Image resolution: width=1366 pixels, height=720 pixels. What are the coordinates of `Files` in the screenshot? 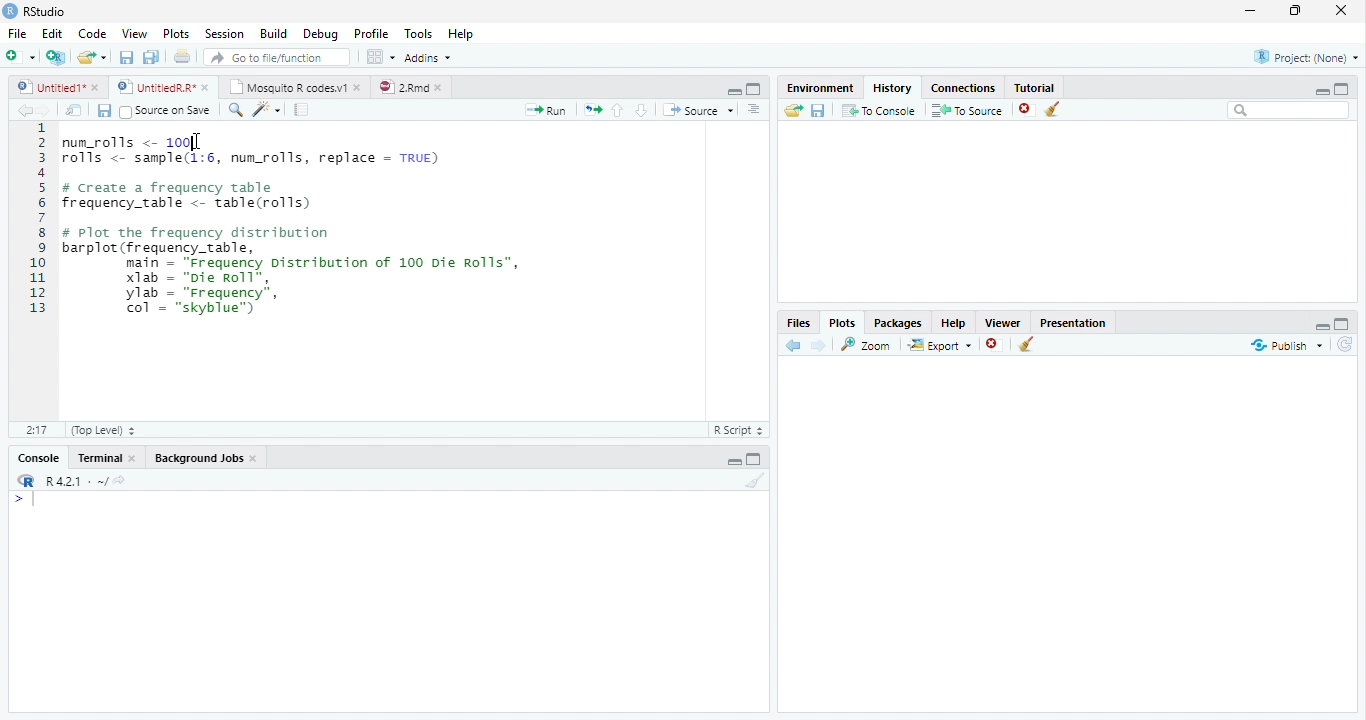 It's located at (798, 321).